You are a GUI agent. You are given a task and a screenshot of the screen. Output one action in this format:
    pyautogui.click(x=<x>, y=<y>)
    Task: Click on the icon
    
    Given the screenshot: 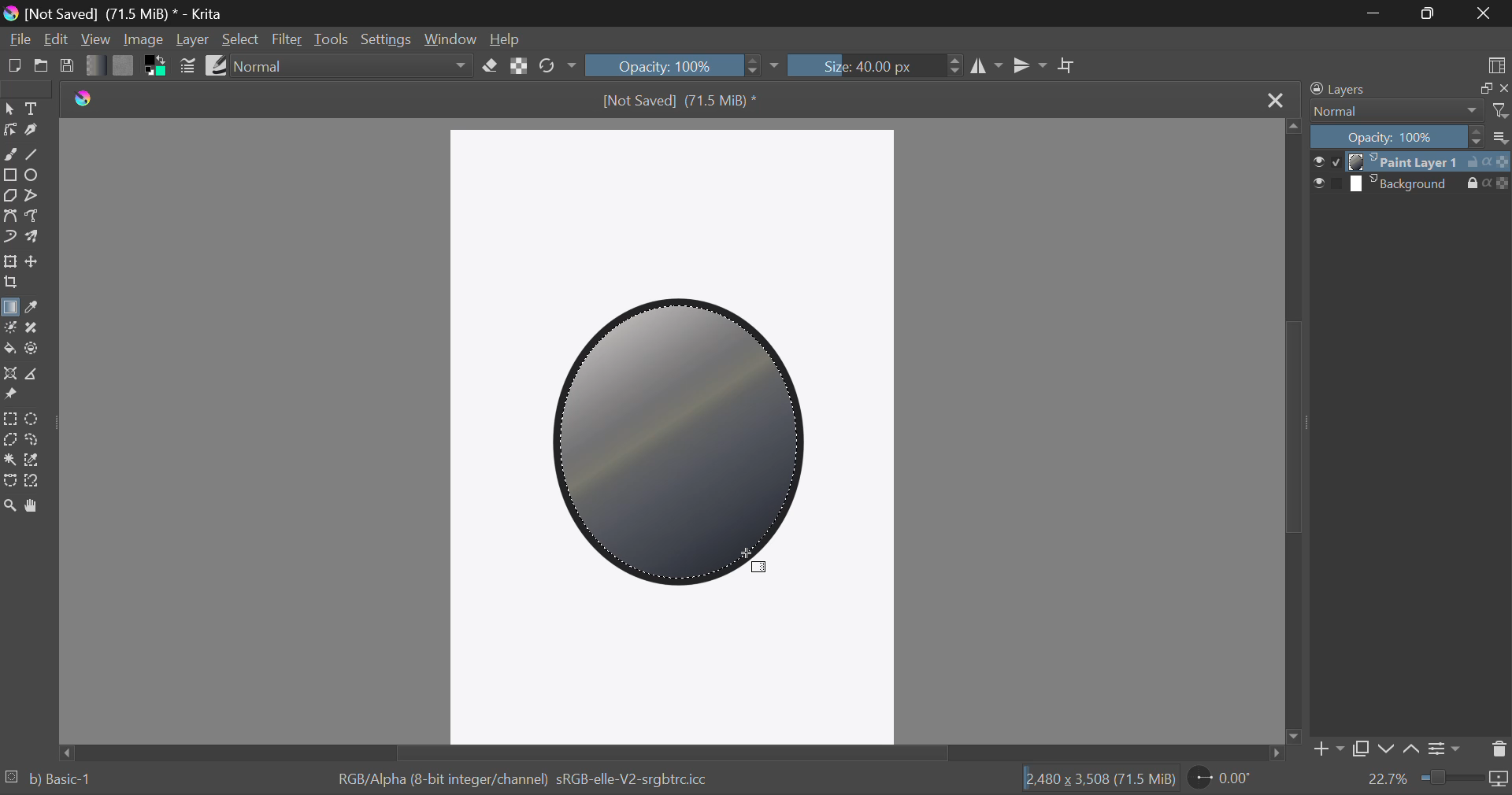 What is the action you would take?
    pyautogui.click(x=1501, y=782)
    